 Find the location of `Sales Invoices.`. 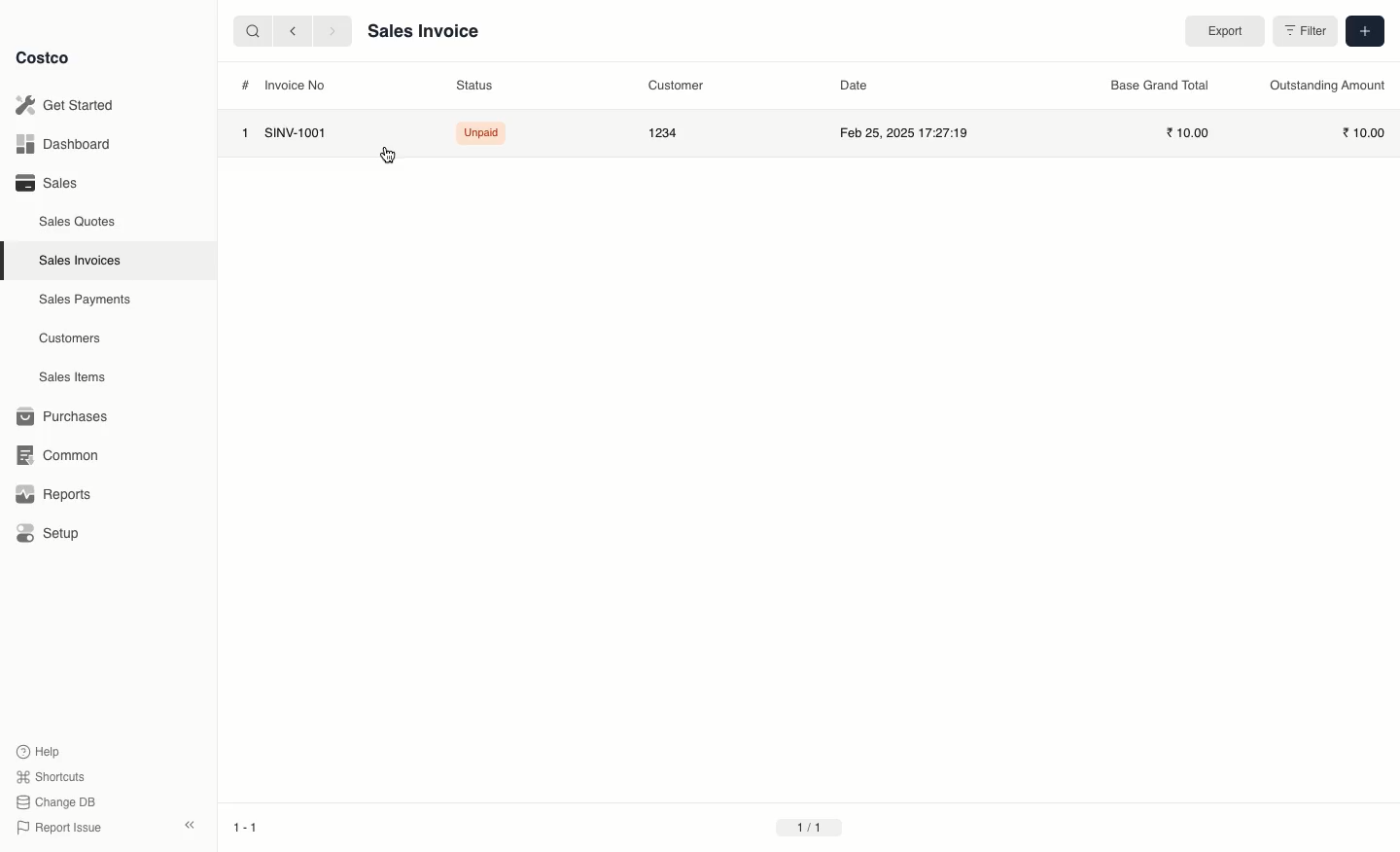

Sales Invoices. is located at coordinates (78, 262).